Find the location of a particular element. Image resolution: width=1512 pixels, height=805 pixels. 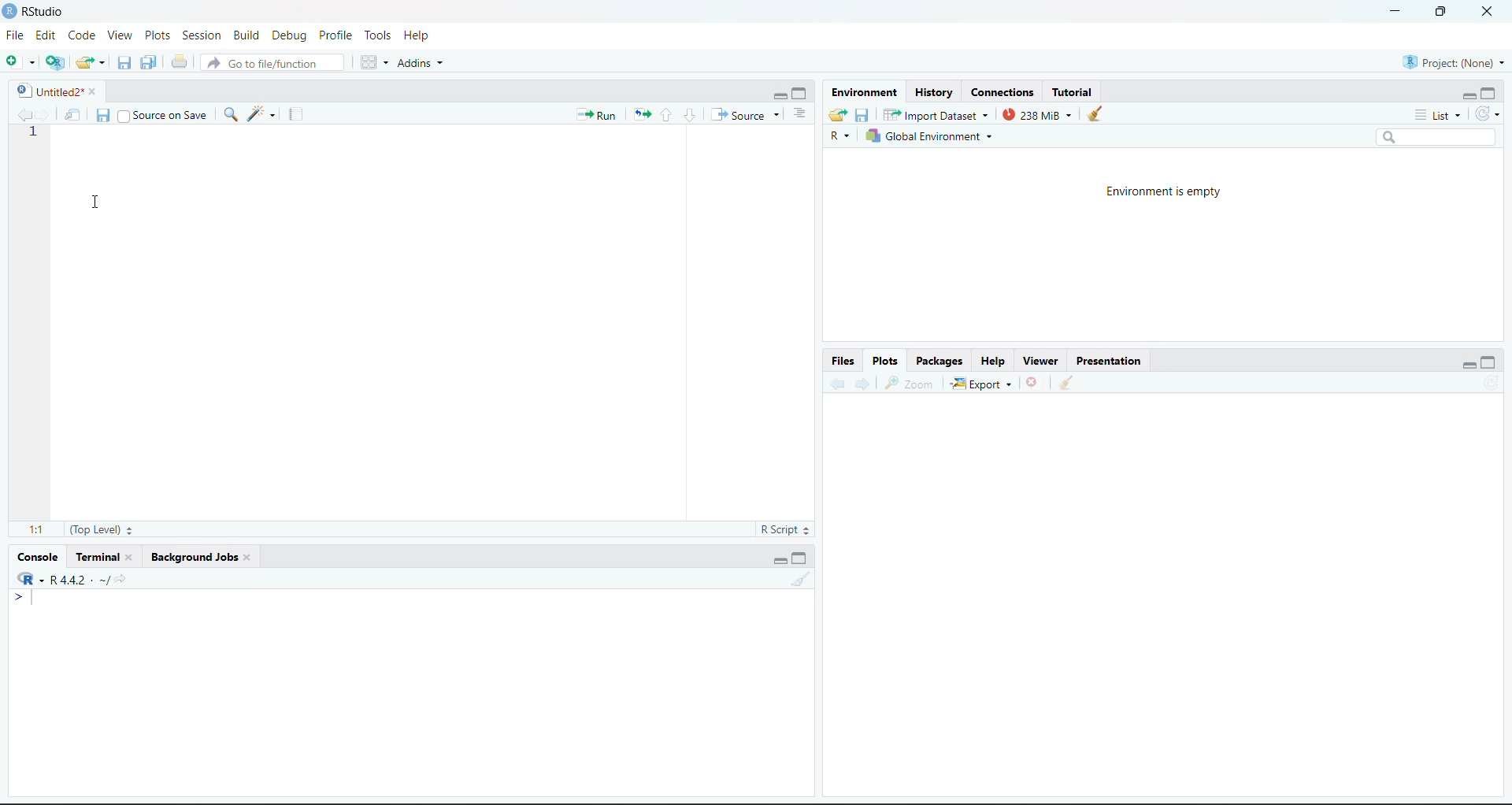

R 4.4.2 ~/ is located at coordinates (70, 578).